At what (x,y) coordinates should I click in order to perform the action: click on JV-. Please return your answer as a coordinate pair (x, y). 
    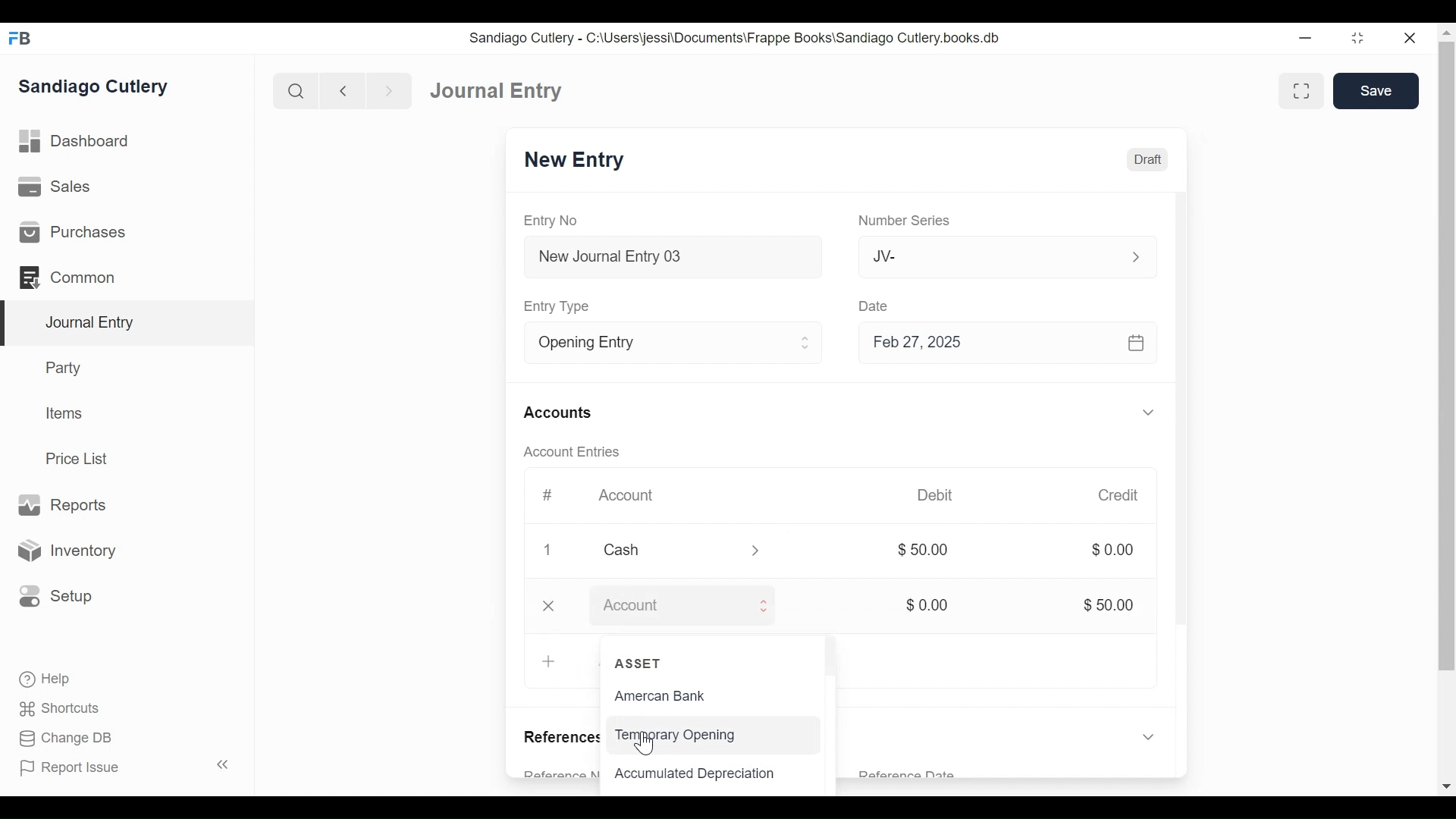
    Looking at the image, I should click on (990, 256).